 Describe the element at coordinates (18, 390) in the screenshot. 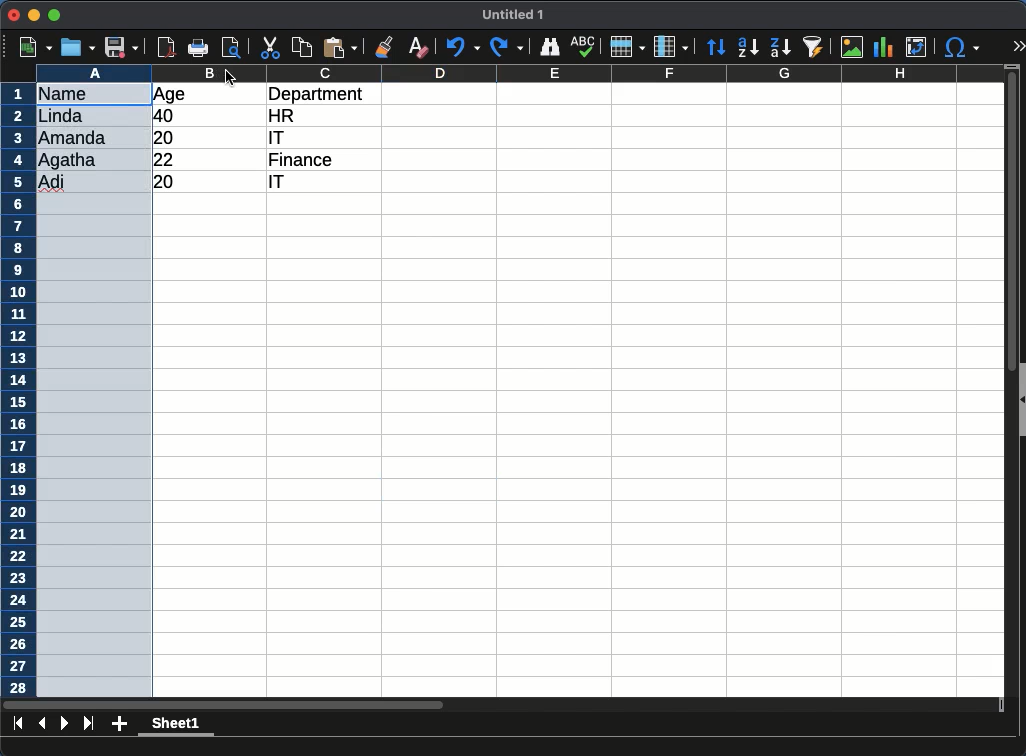

I see `rows` at that location.